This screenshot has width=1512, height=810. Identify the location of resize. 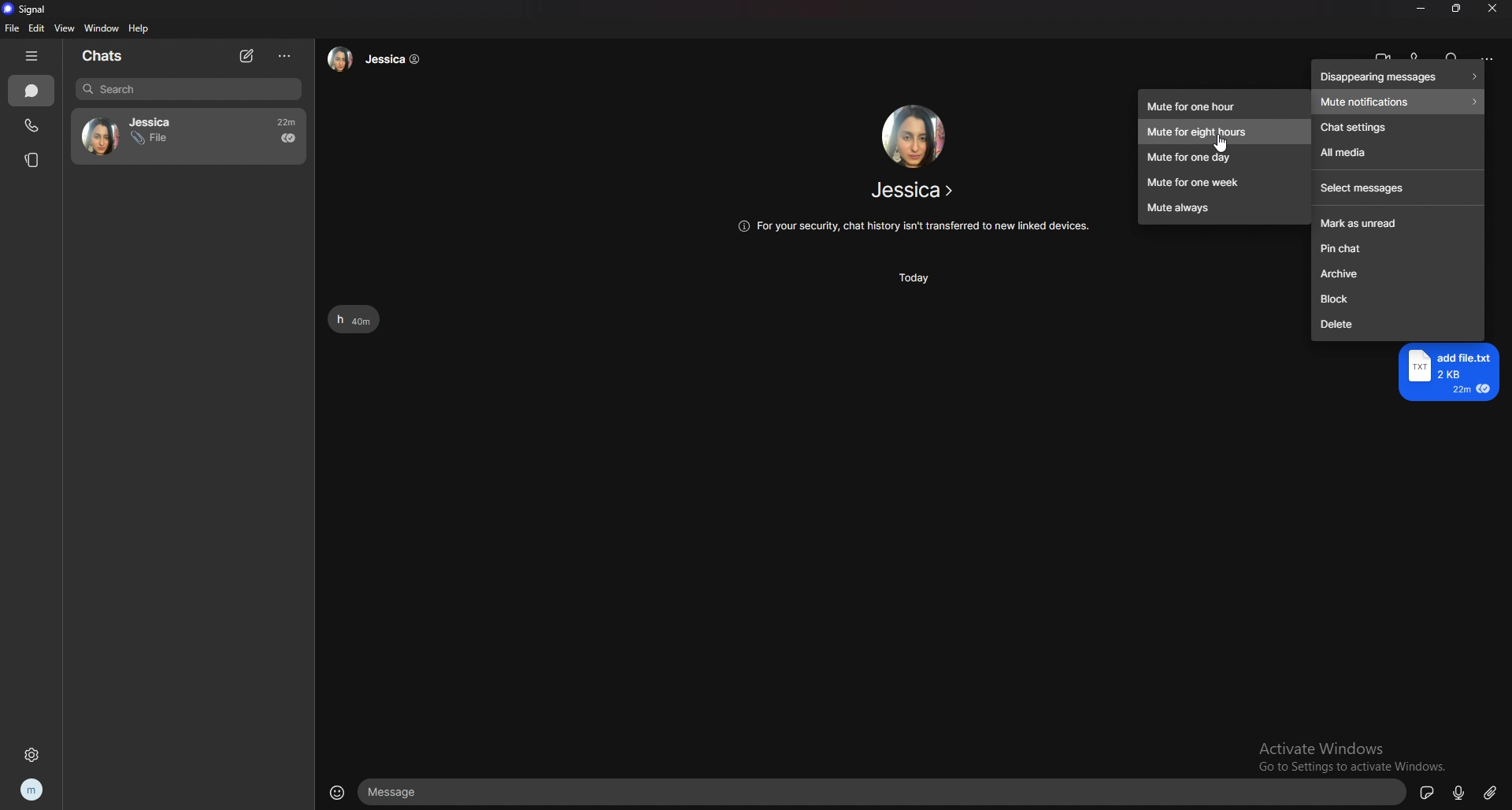
(1456, 8).